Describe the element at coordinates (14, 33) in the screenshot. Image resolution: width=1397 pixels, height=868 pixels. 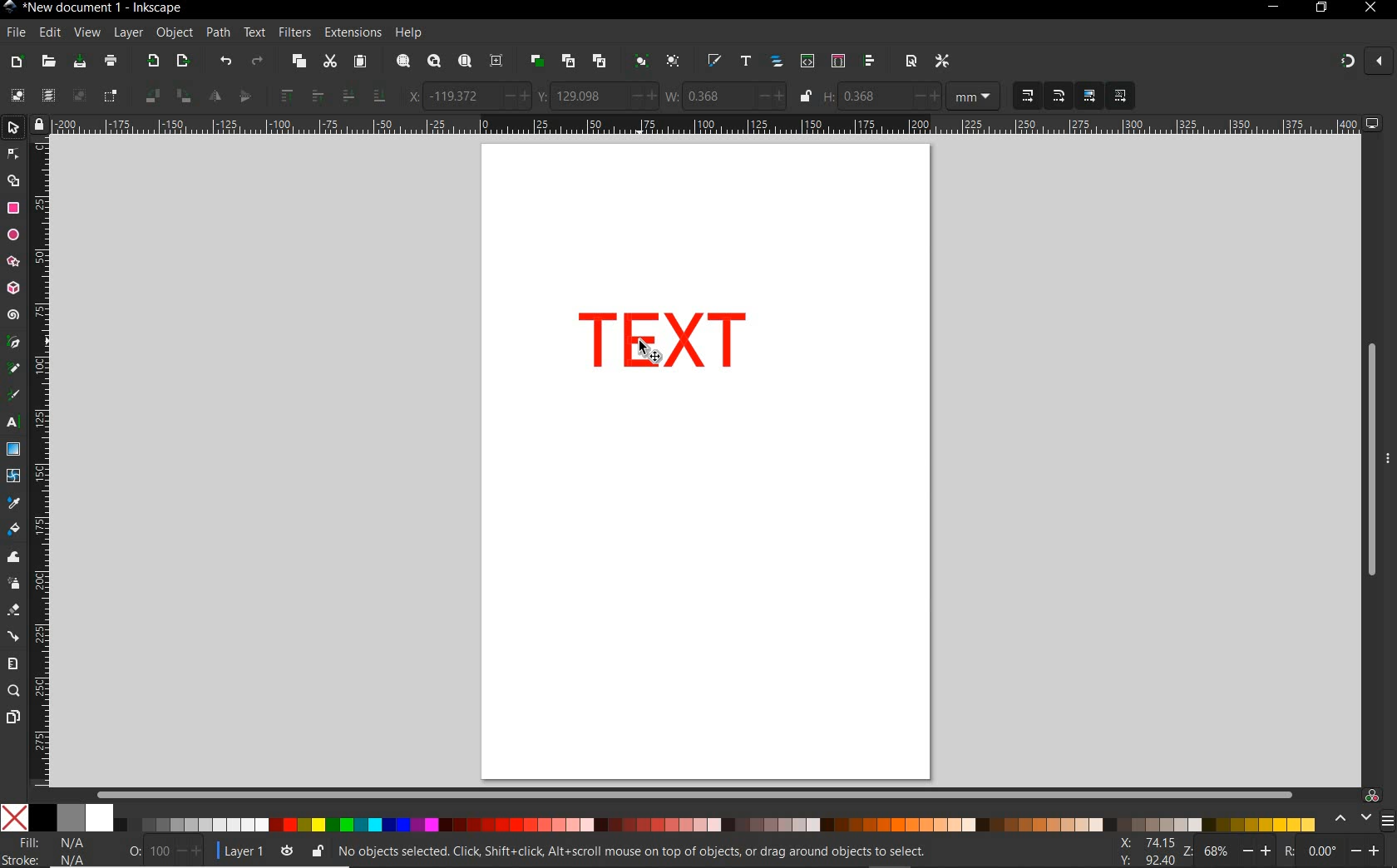
I see `FILE` at that location.